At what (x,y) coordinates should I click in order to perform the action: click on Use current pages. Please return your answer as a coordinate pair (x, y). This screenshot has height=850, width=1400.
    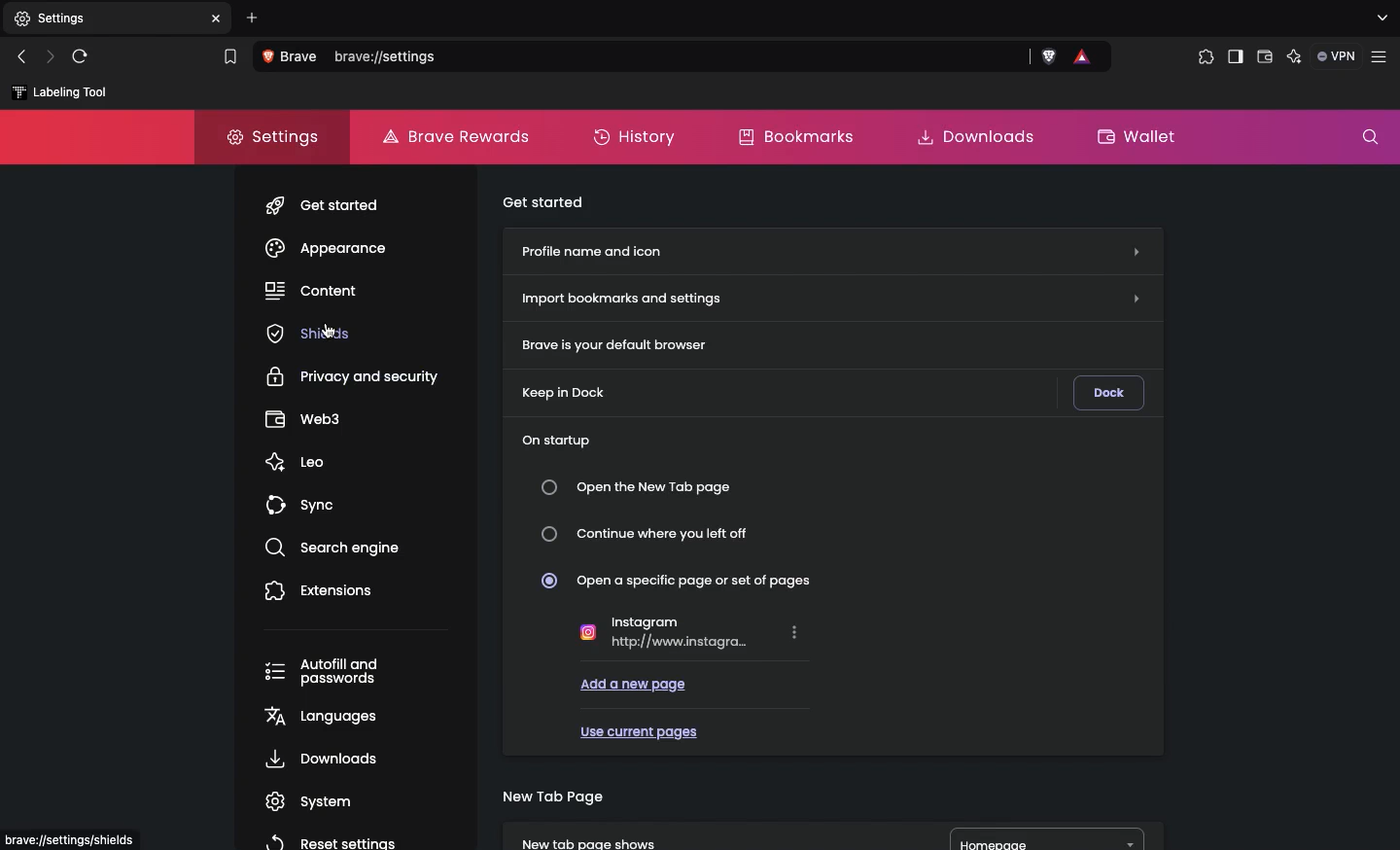
    Looking at the image, I should click on (654, 729).